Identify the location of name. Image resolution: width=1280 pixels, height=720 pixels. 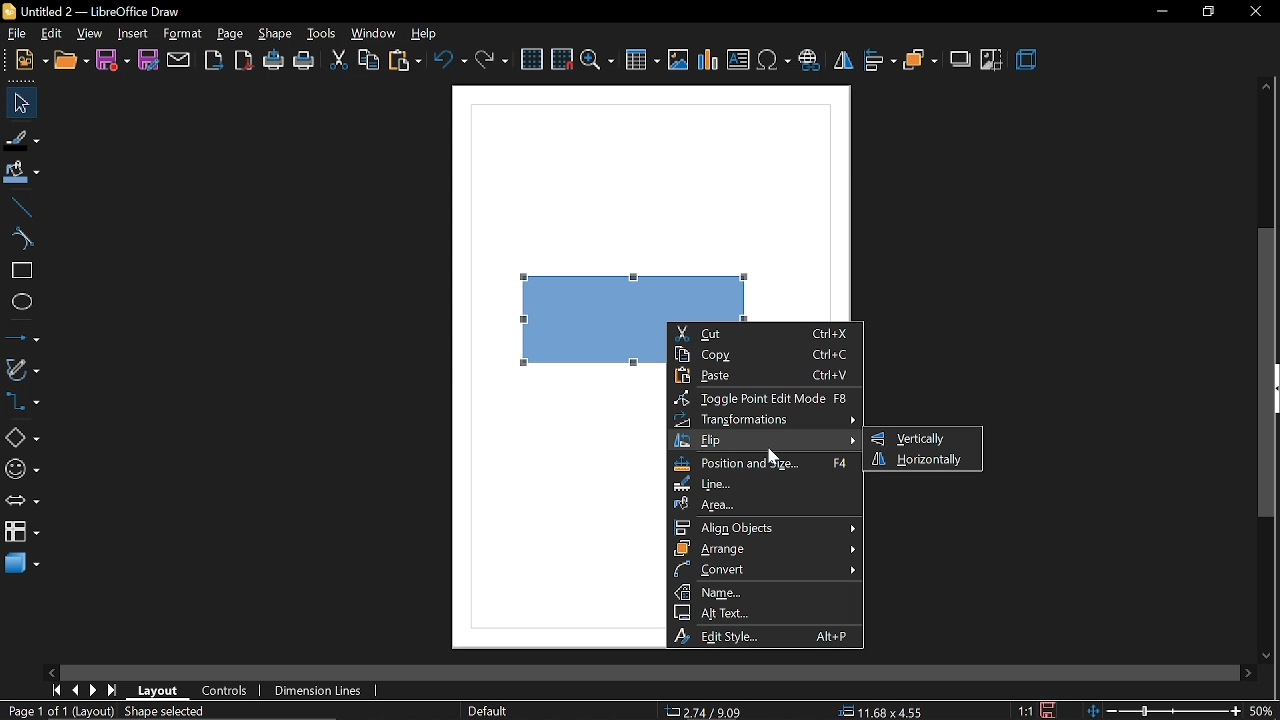
(766, 591).